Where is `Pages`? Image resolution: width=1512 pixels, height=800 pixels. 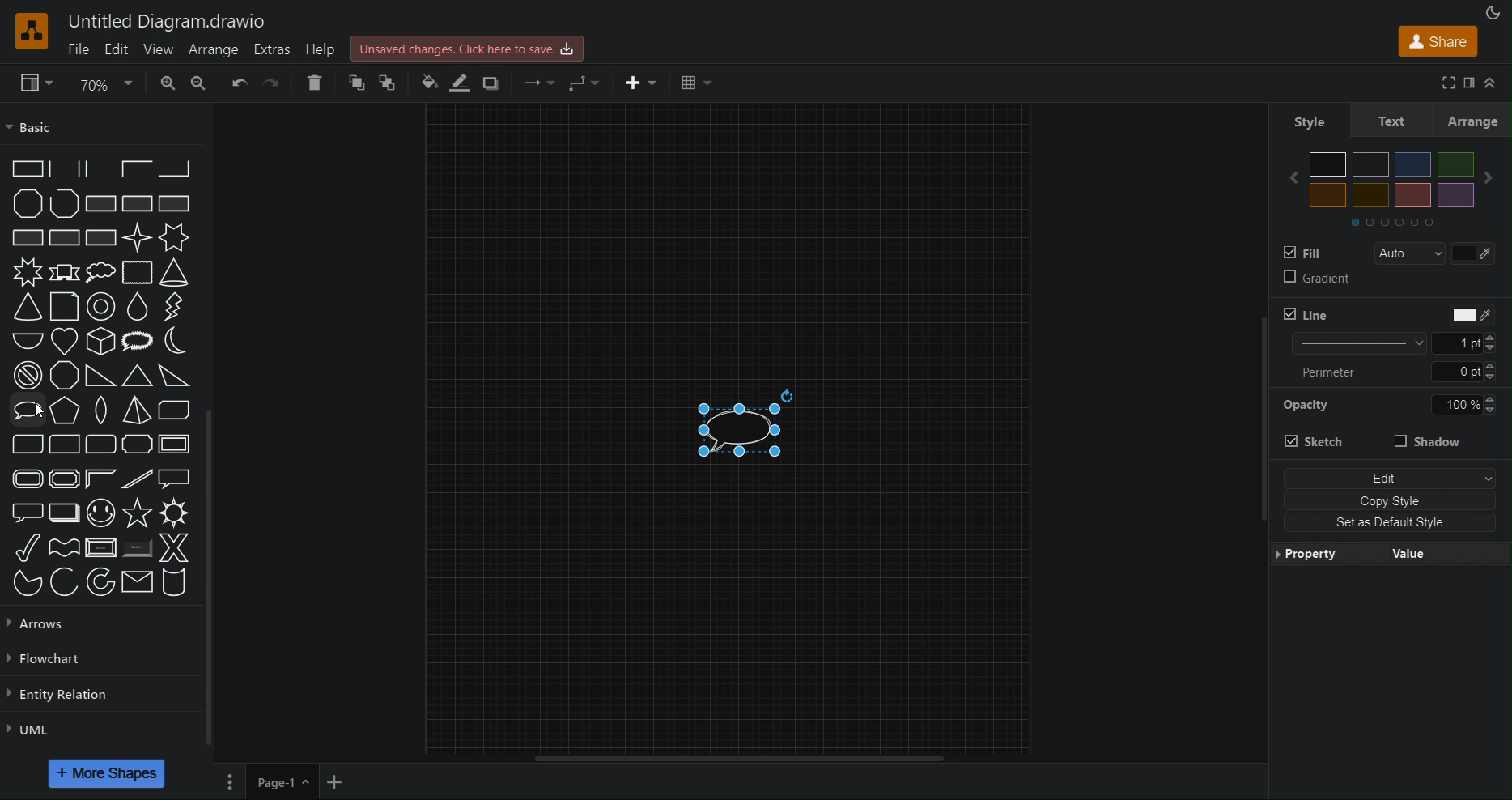
Pages is located at coordinates (234, 781).